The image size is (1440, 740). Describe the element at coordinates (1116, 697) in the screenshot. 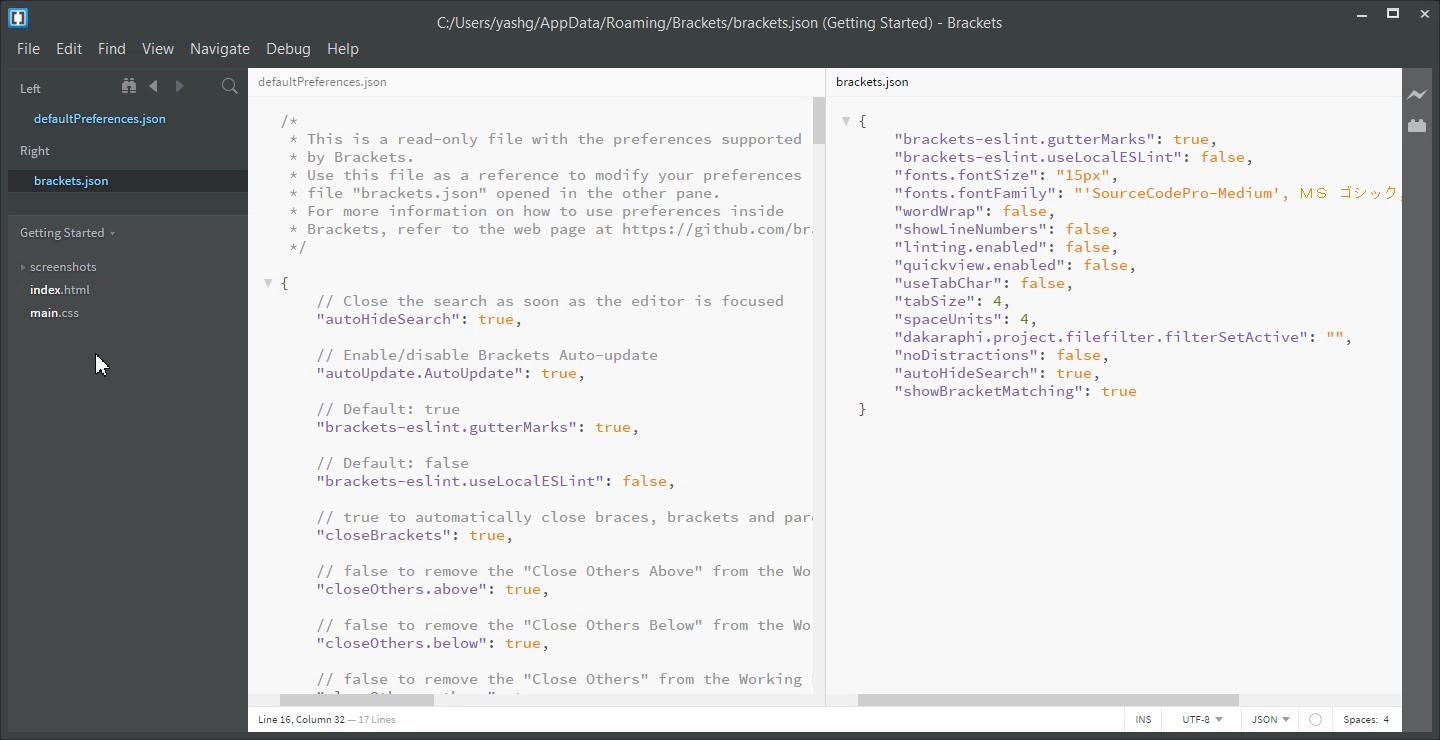

I see `Horizontal Scroll Bar` at that location.